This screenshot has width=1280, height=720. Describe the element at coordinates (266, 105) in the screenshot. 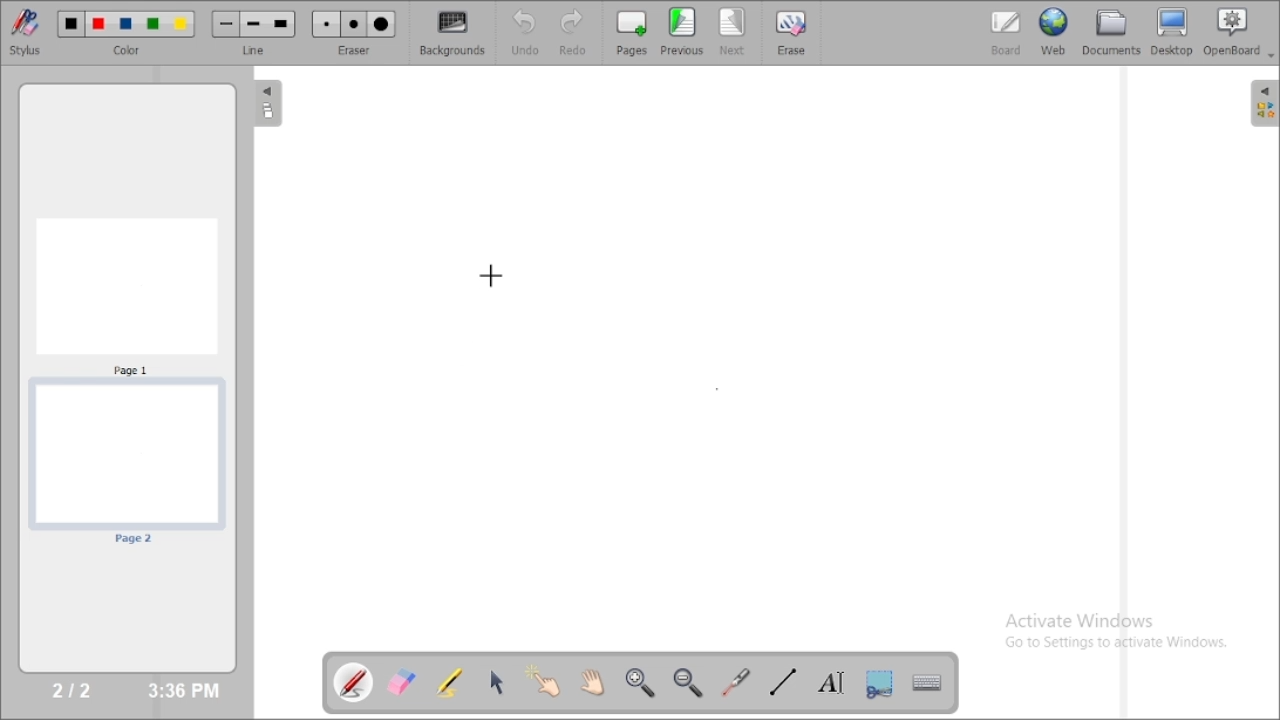

I see `The flatplan (left panel)` at that location.